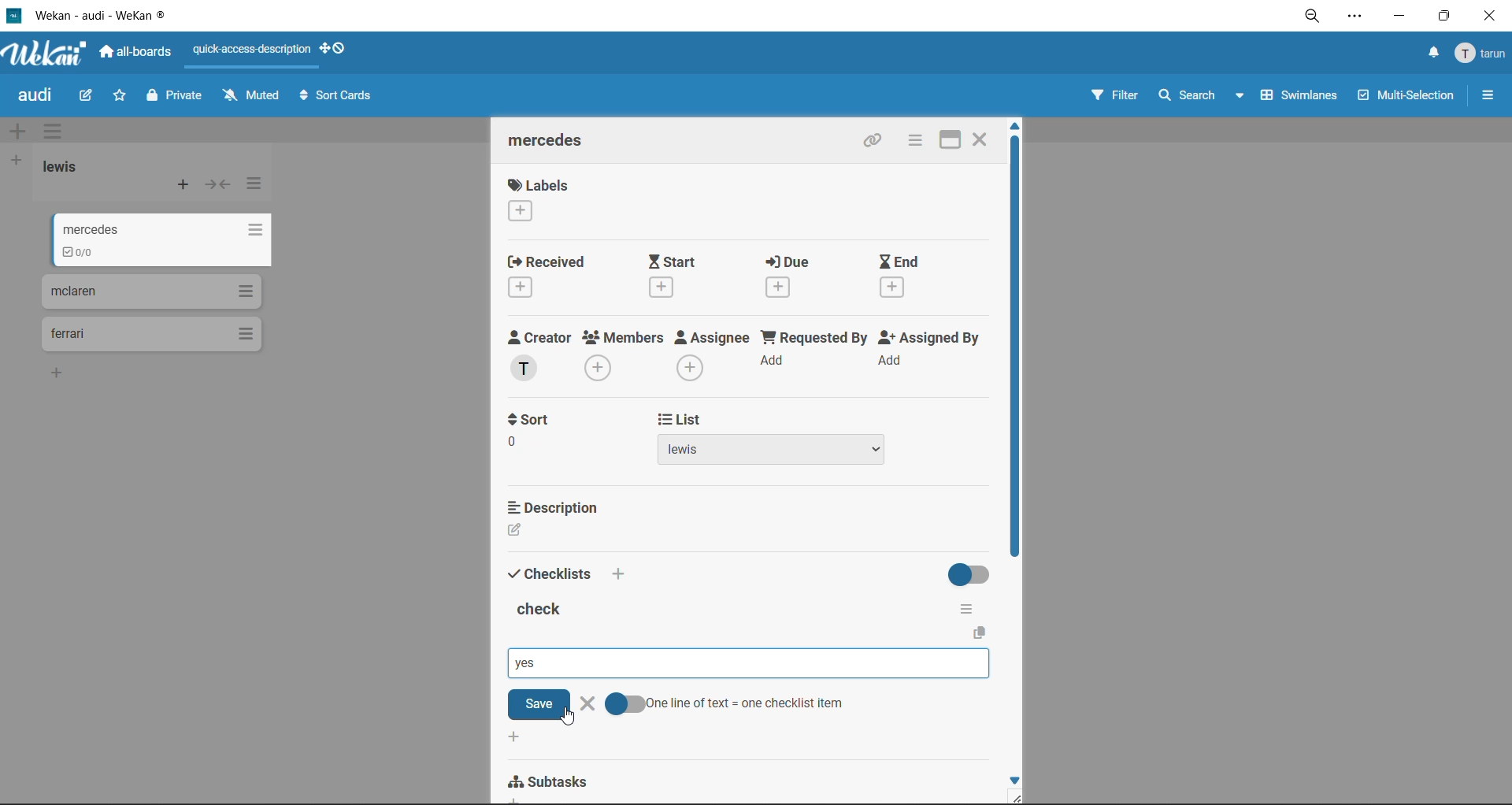 The height and width of the screenshot is (805, 1512). Describe the element at coordinates (124, 18) in the screenshot. I see `app titlew` at that location.